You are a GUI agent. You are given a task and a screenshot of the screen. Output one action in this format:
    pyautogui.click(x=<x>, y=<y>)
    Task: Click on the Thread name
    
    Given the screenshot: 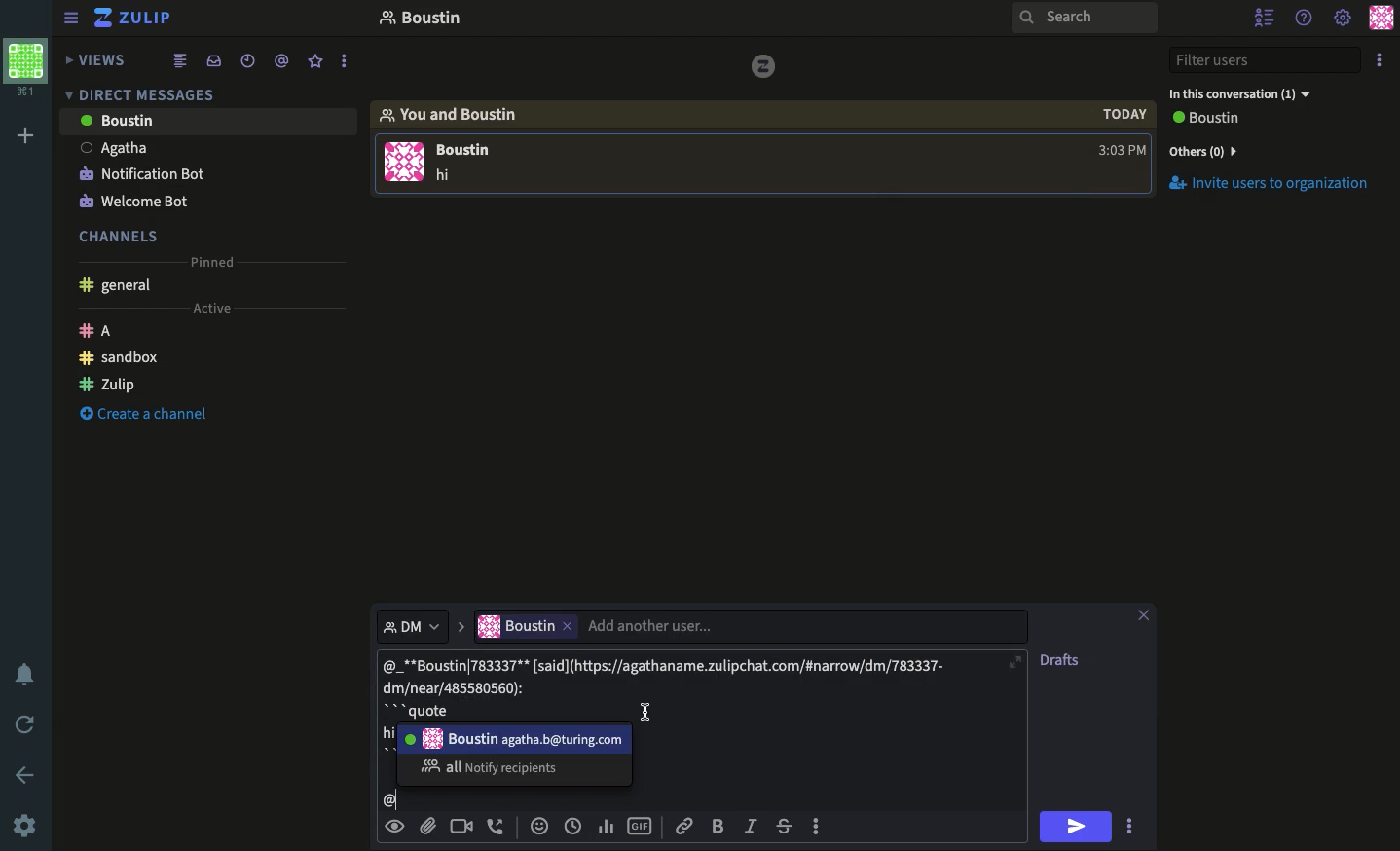 What is the action you would take?
    pyautogui.click(x=420, y=20)
    